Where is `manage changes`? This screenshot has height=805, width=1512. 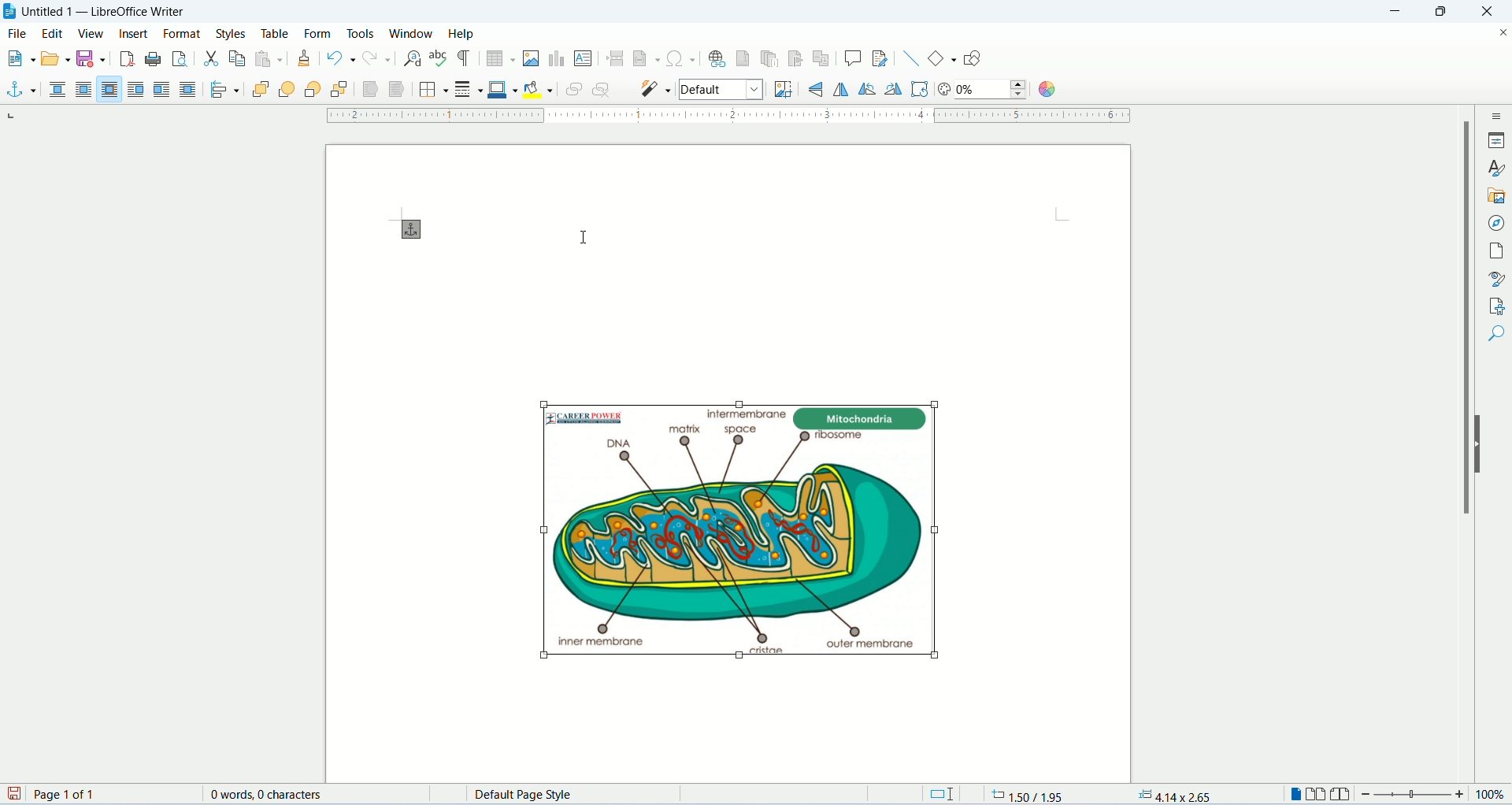
manage changes is located at coordinates (1497, 305).